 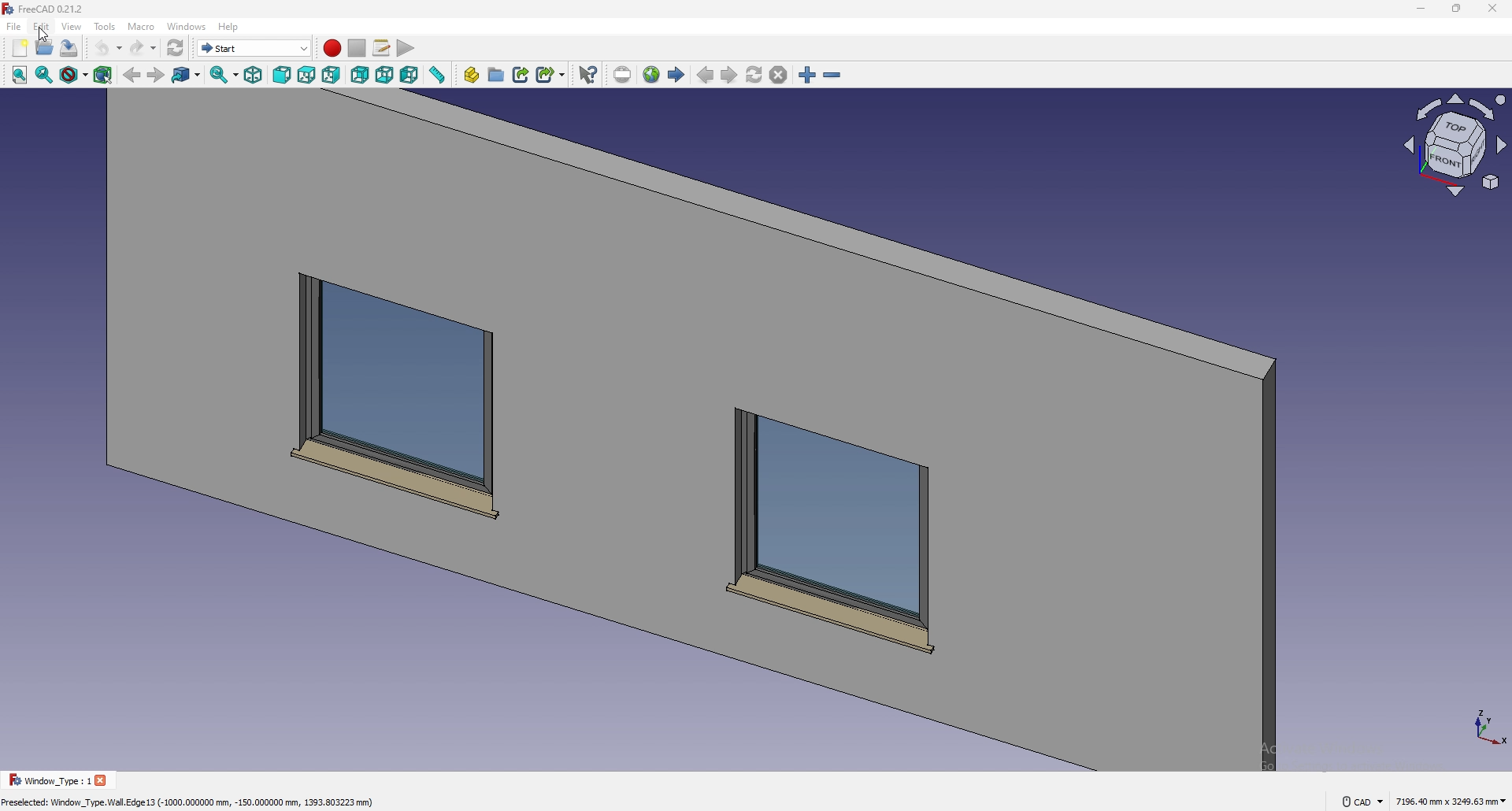 What do you see at coordinates (1455, 150) in the screenshot?
I see `view` at bounding box center [1455, 150].